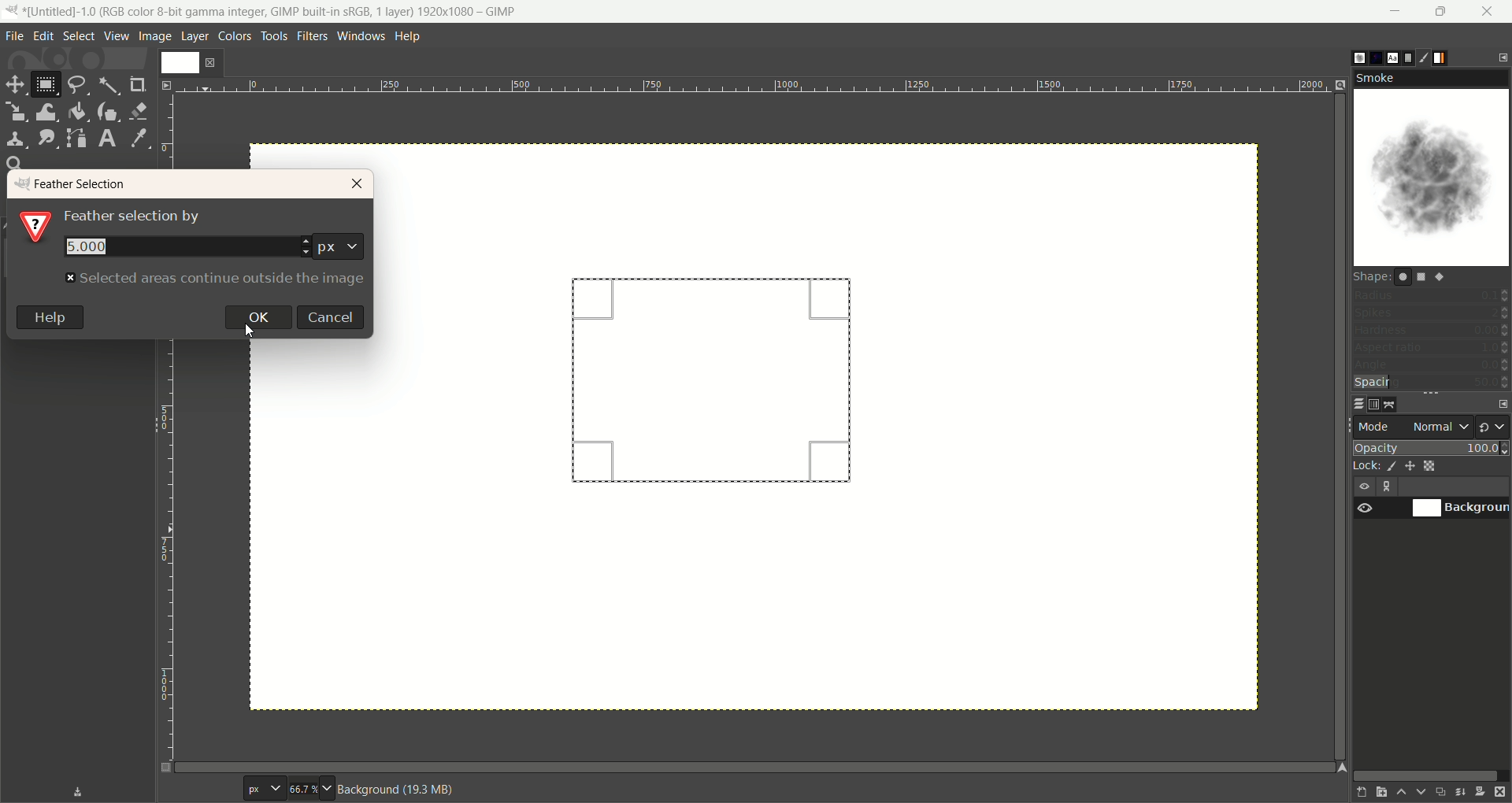  I want to click on clone tool, so click(17, 140).